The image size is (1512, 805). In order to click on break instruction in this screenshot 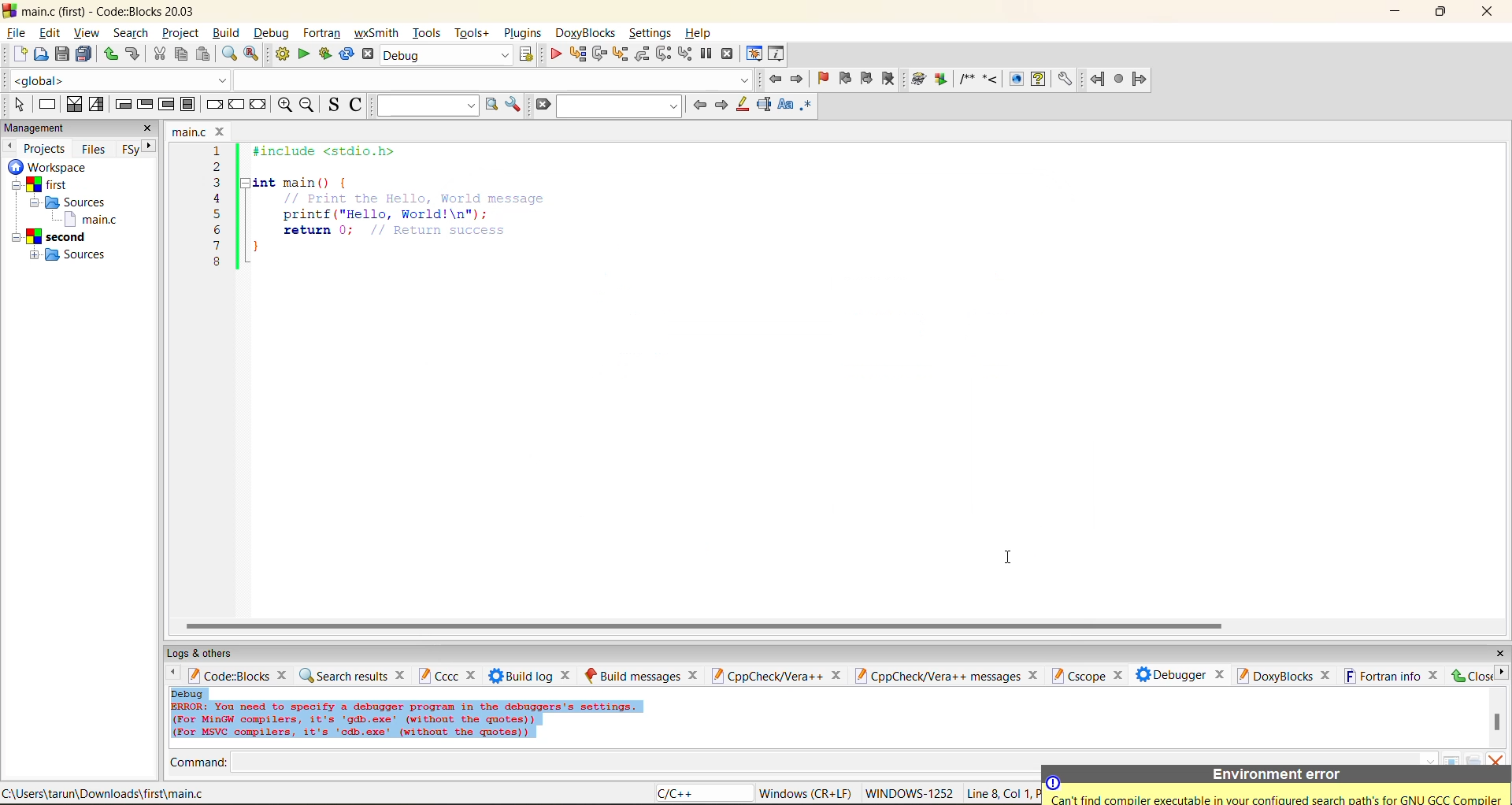, I will do `click(212, 104)`.